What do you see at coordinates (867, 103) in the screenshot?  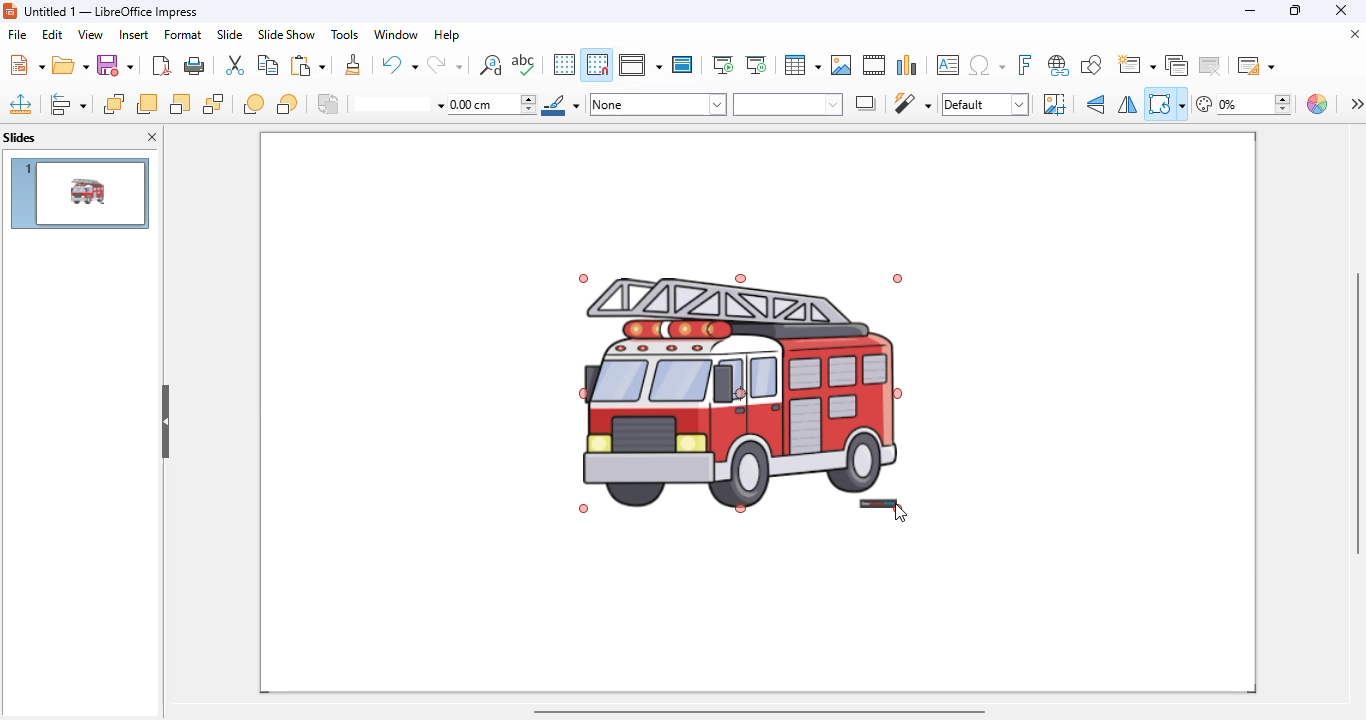 I see `shadow` at bounding box center [867, 103].